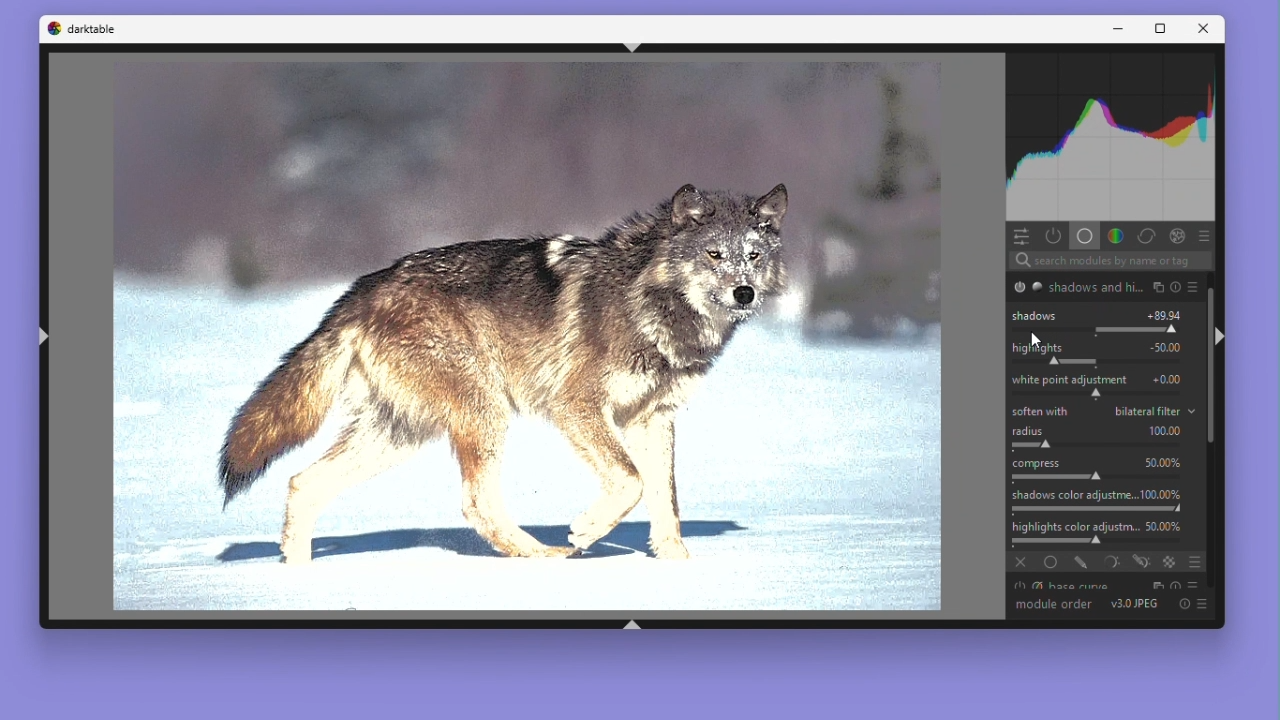 The image size is (1280, 720). Describe the element at coordinates (1097, 508) in the screenshot. I see `adjust saturation of shadows` at that location.